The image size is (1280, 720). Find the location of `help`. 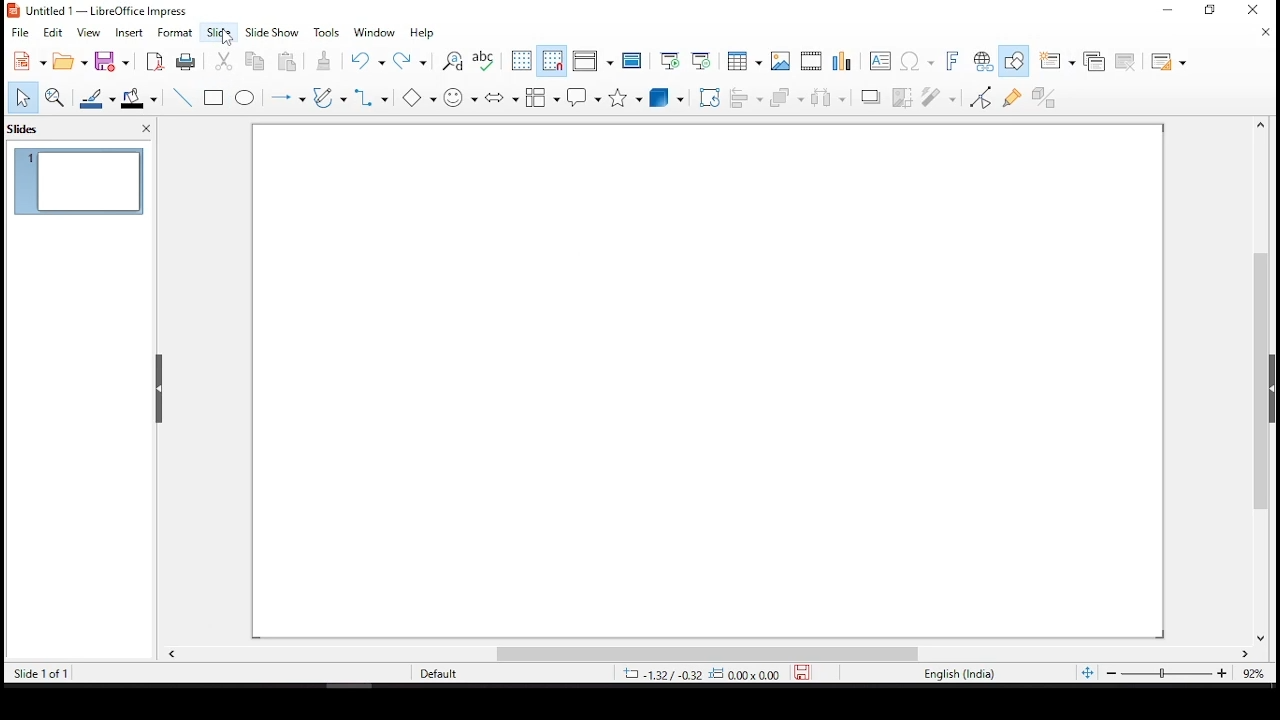

help is located at coordinates (424, 31).